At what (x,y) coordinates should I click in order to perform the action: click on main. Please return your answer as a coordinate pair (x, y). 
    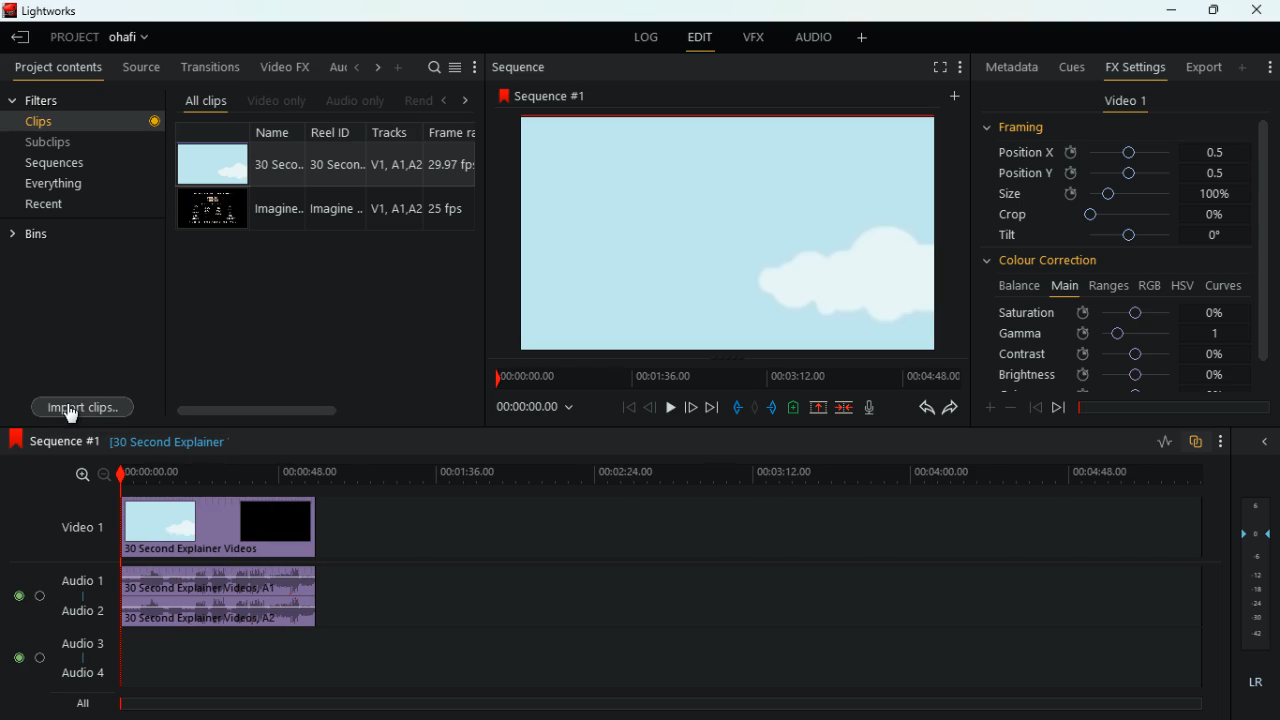
    Looking at the image, I should click on (1062, 287).